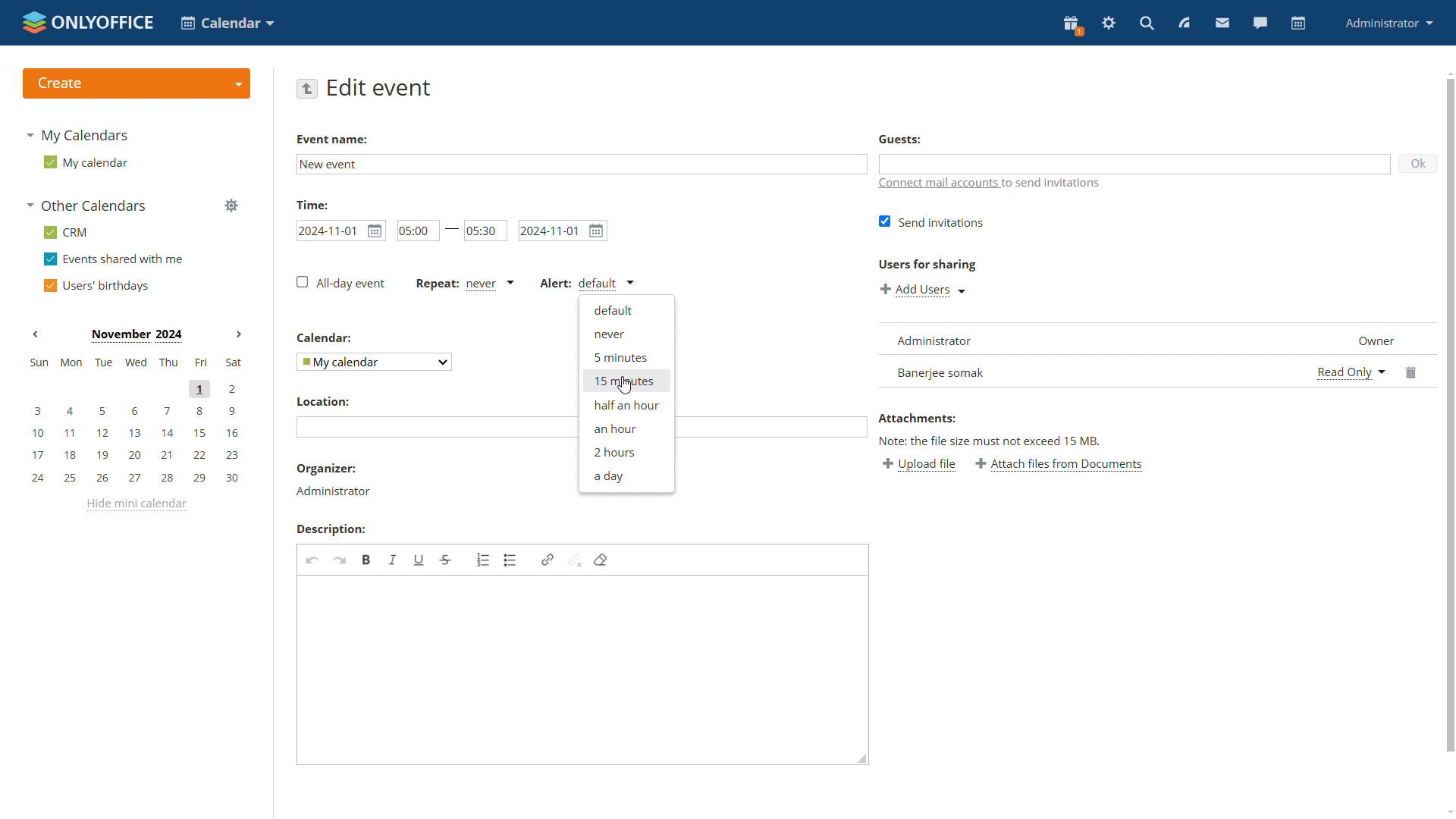  I want to click on italic, so click(394, 560).